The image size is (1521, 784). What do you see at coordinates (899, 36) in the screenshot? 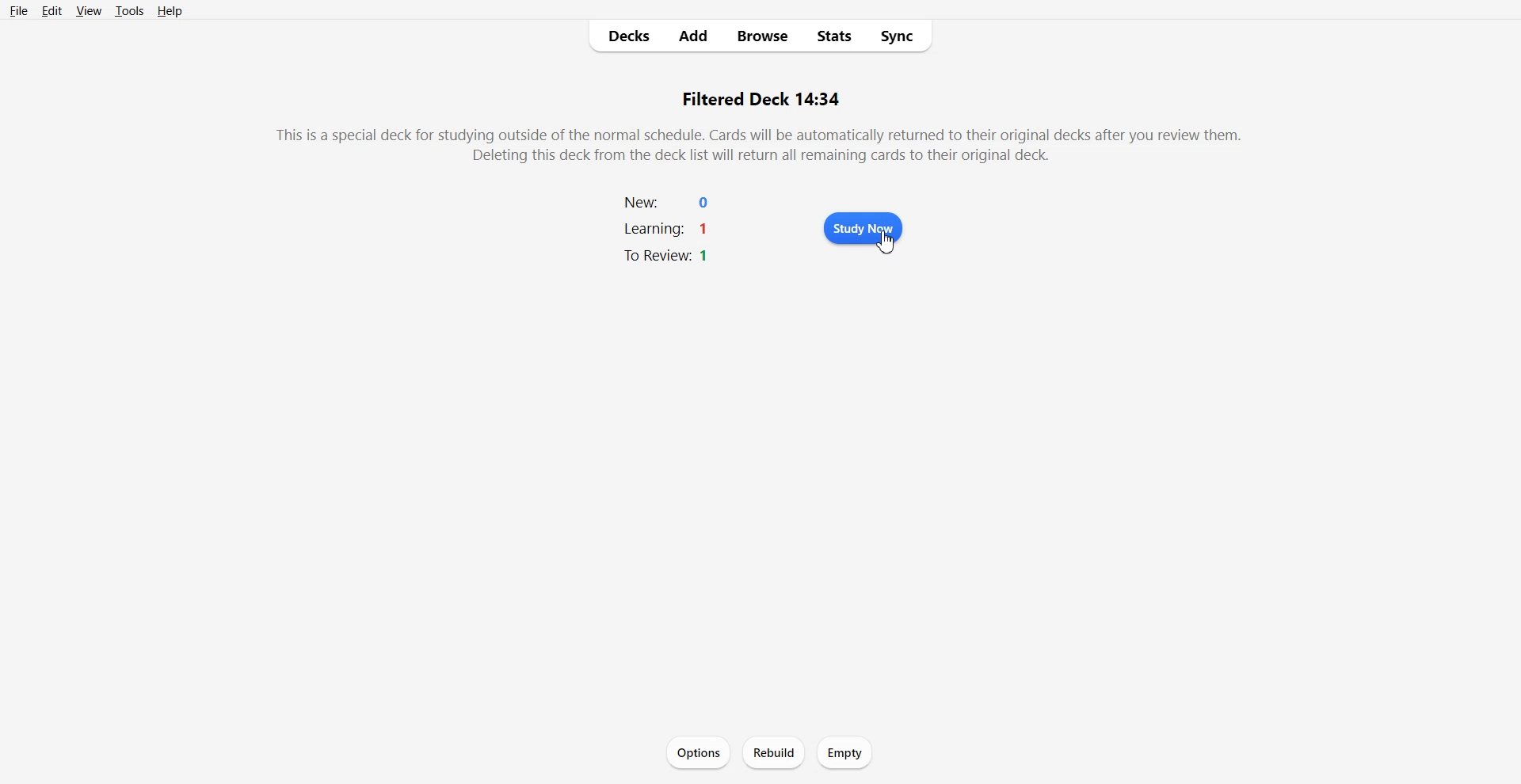
I see `Sync` at bounding box center [899, 36].